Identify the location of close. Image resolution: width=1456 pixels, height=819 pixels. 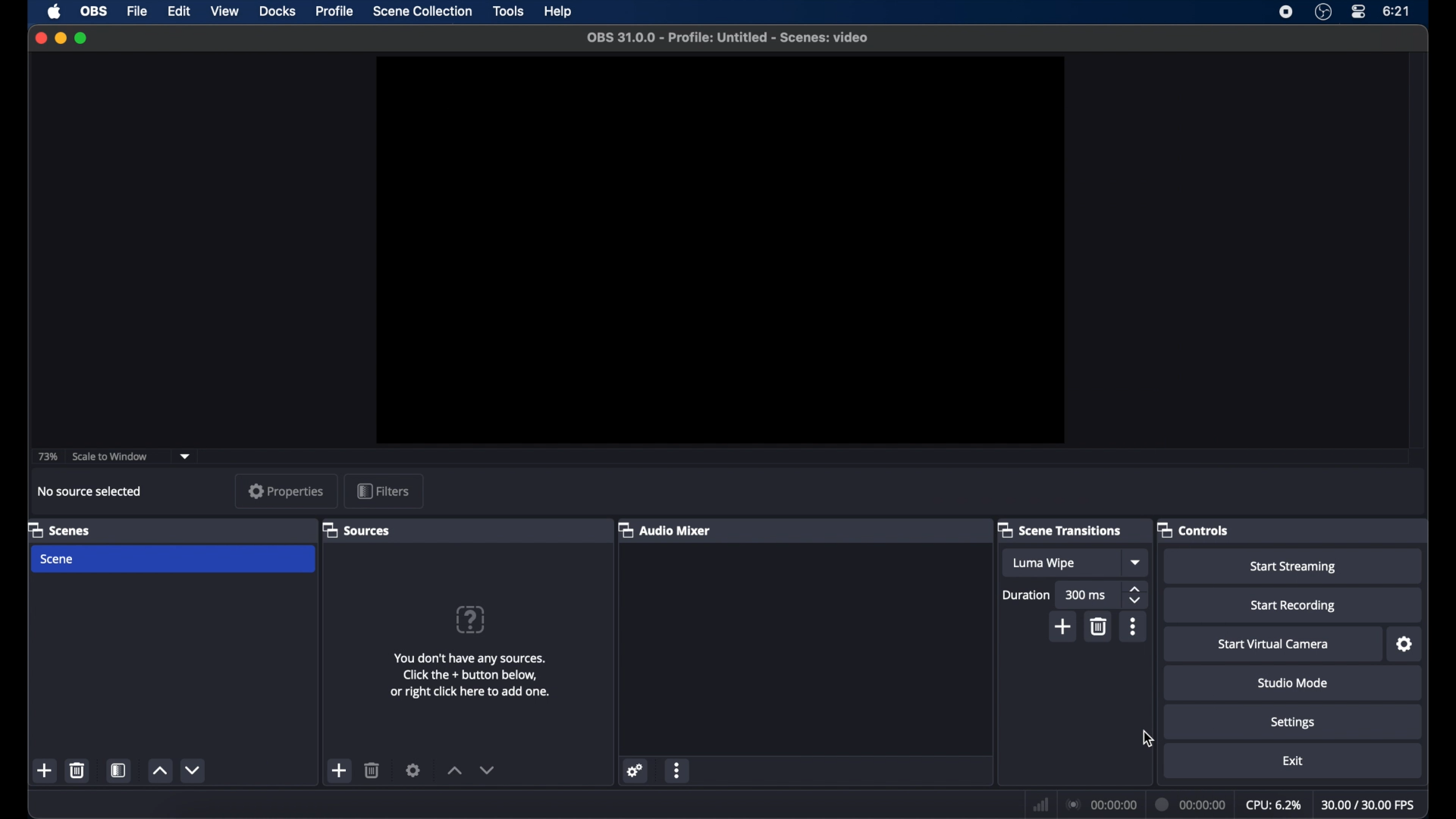
(40, 37).